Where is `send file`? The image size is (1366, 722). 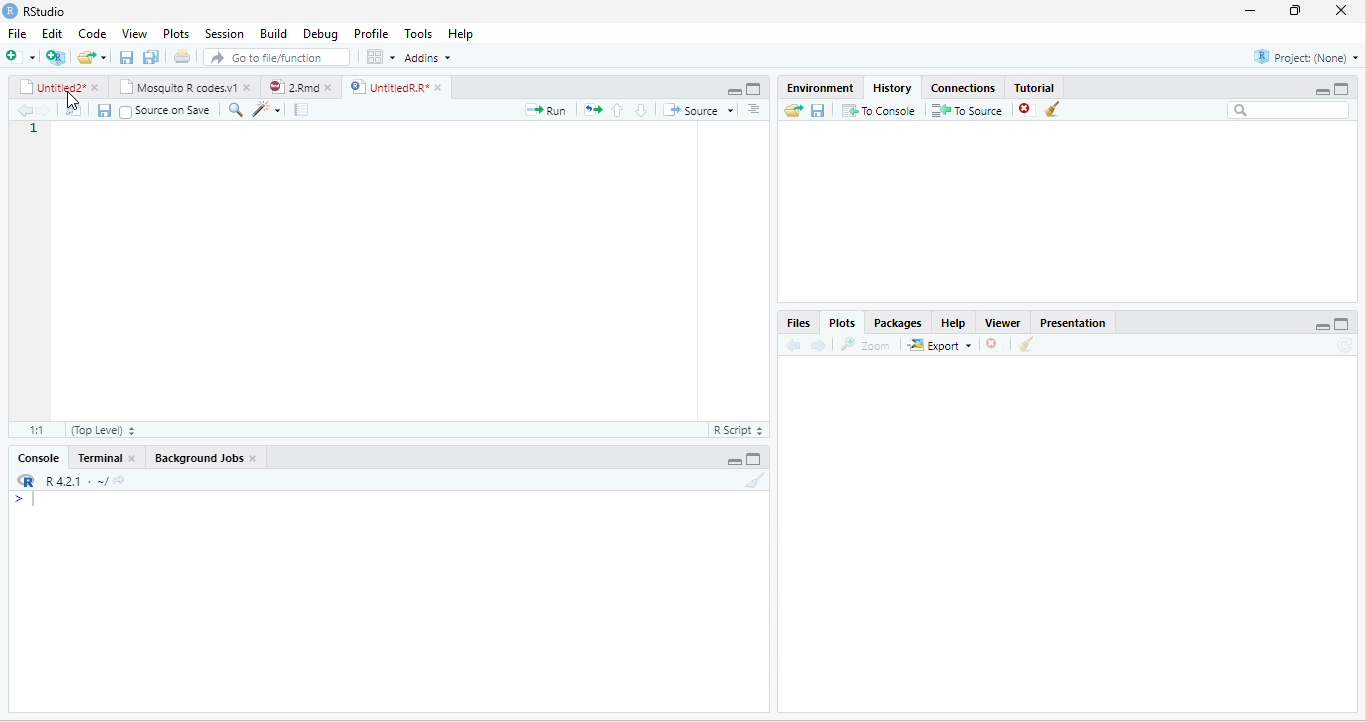
send file is located at coordinates (786, 110).